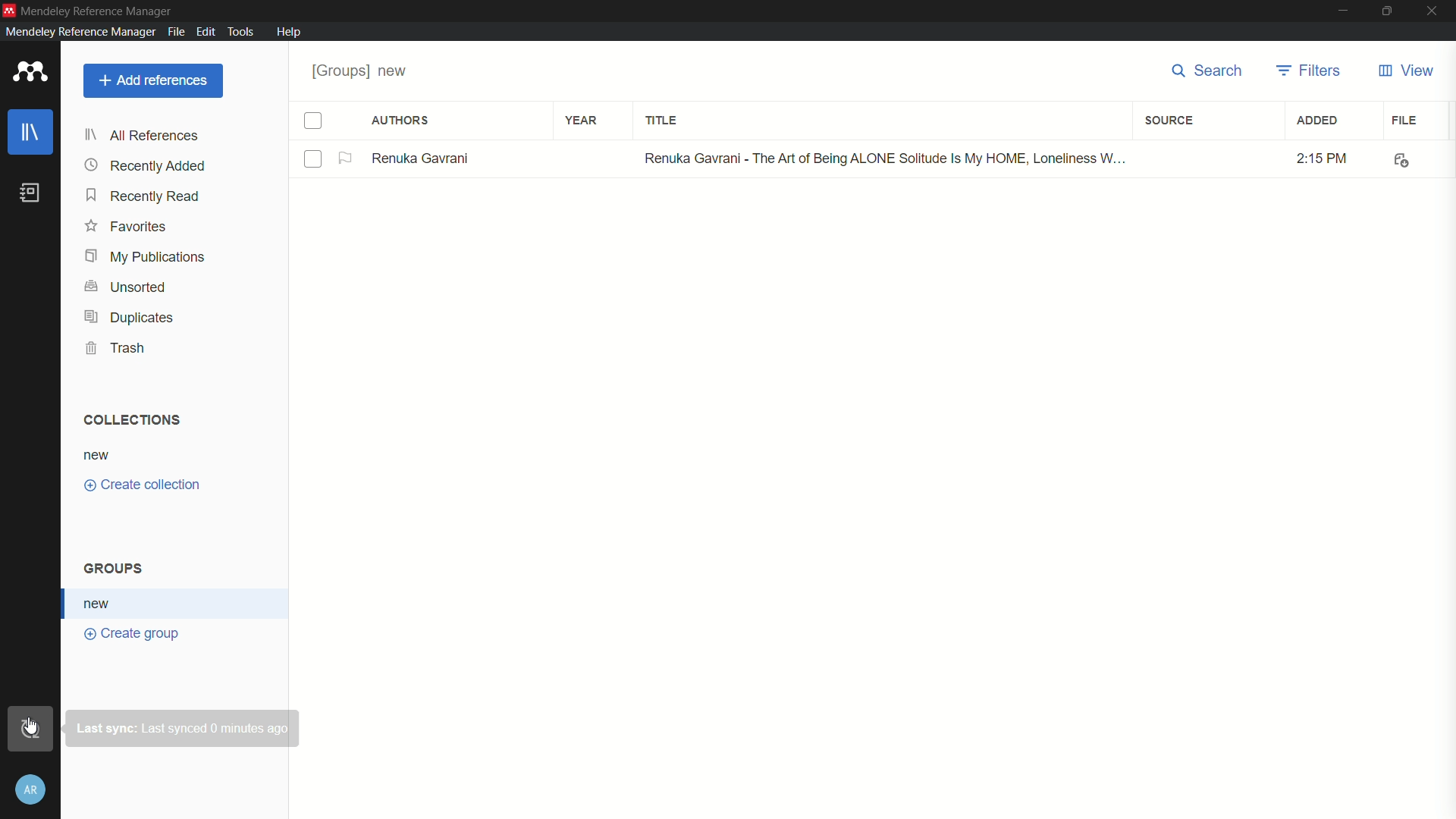 The image size is (1456, 819). I want to click on new, so click(99, 603).